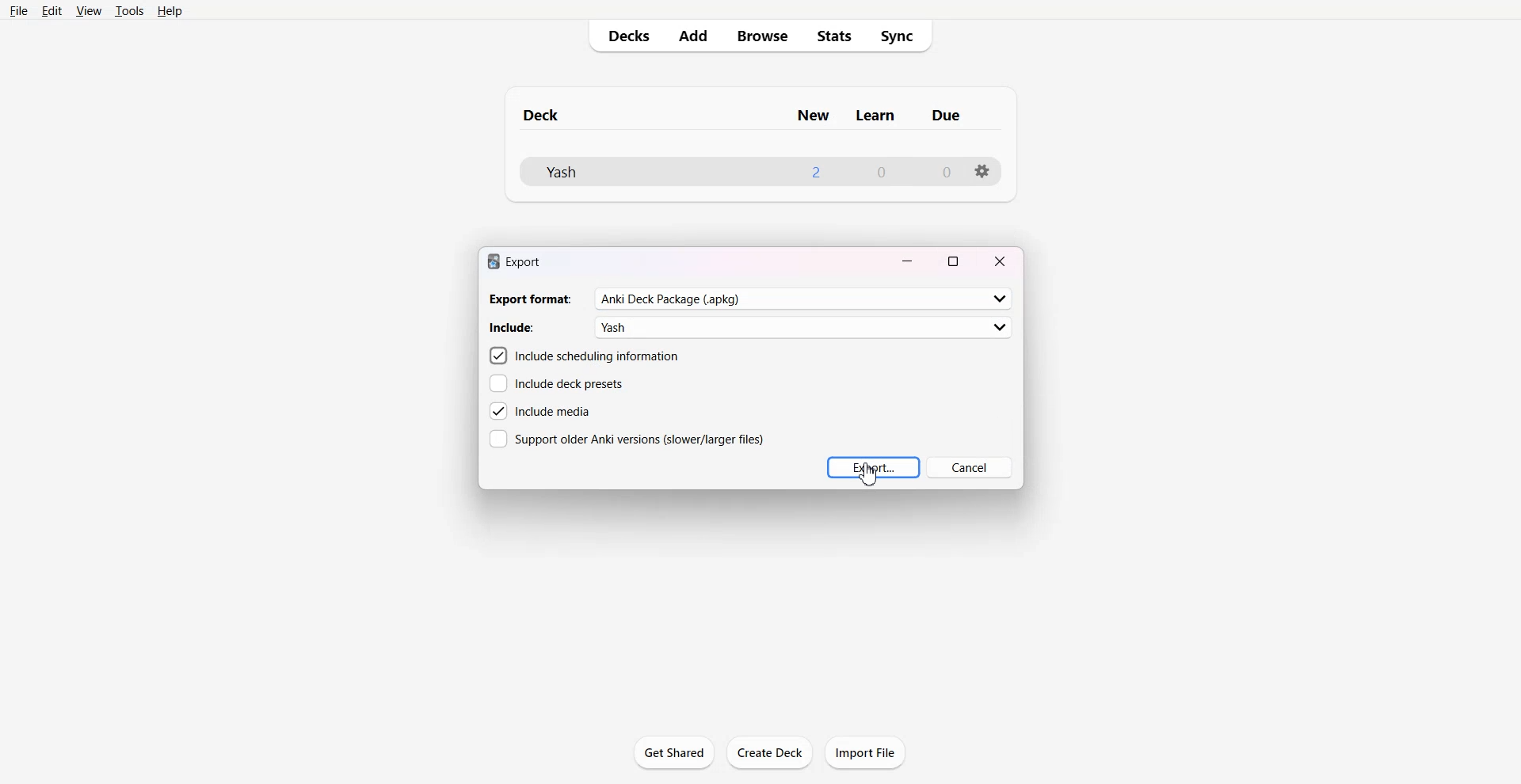 The height and width of the screenshot is (784, 1521). I want to click on Create Deck, so click(769, 752).